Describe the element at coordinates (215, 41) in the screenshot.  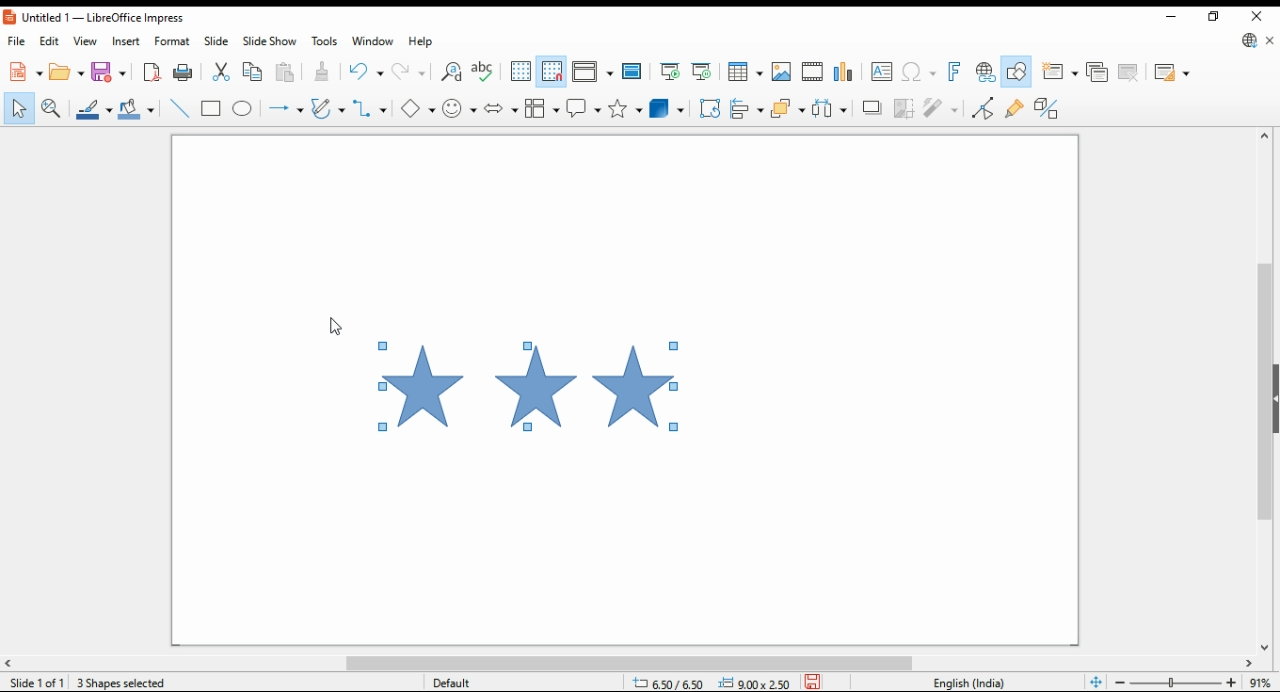
I see `slide` at that location.